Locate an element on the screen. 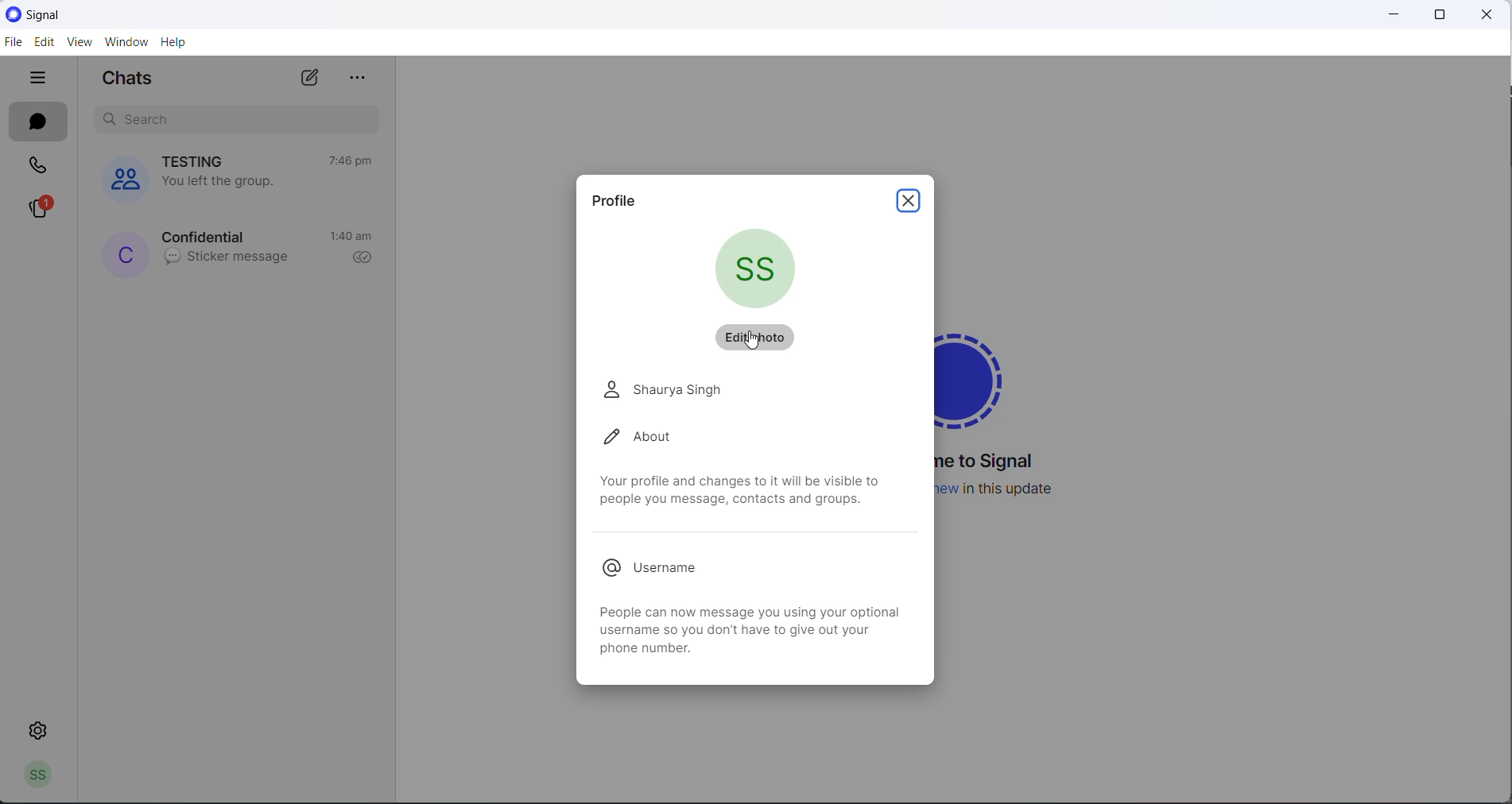 This screenshot has width=1512, height=804. EDIT is located at coordinates (42, 43).